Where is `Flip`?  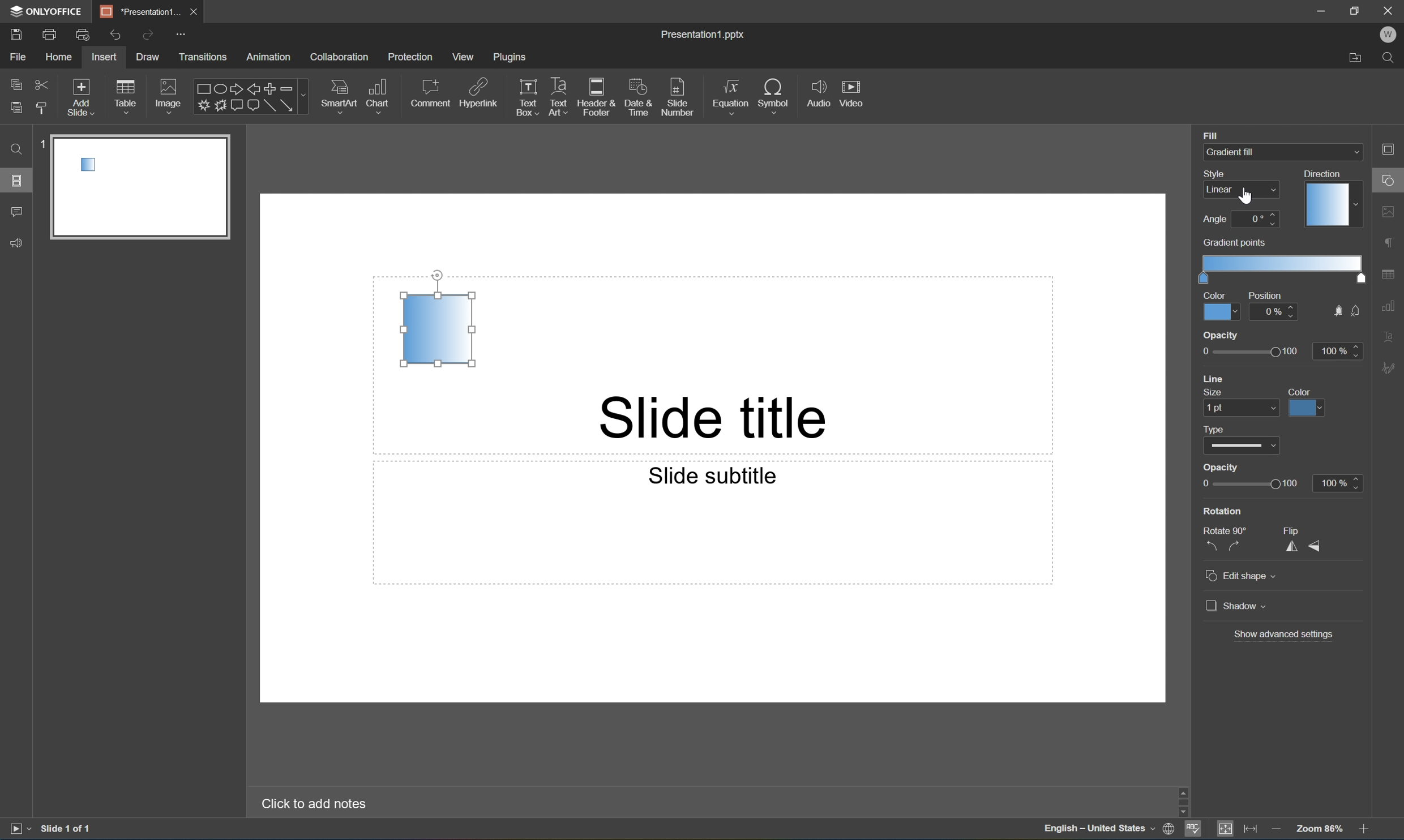 Flip is located at coordinates (1289, 528).